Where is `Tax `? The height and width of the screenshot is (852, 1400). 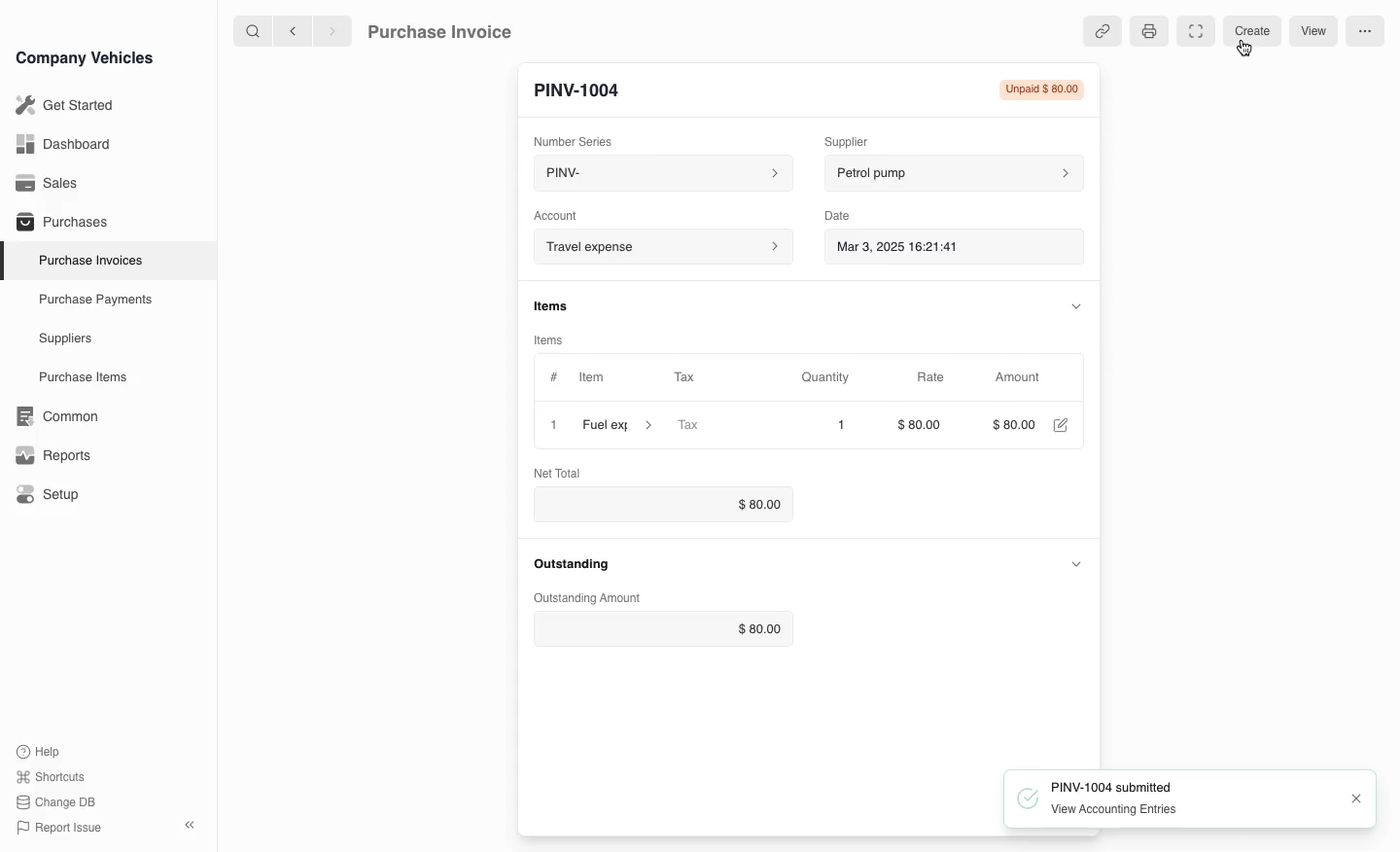 Tax  is located at coordinates (716, 427).